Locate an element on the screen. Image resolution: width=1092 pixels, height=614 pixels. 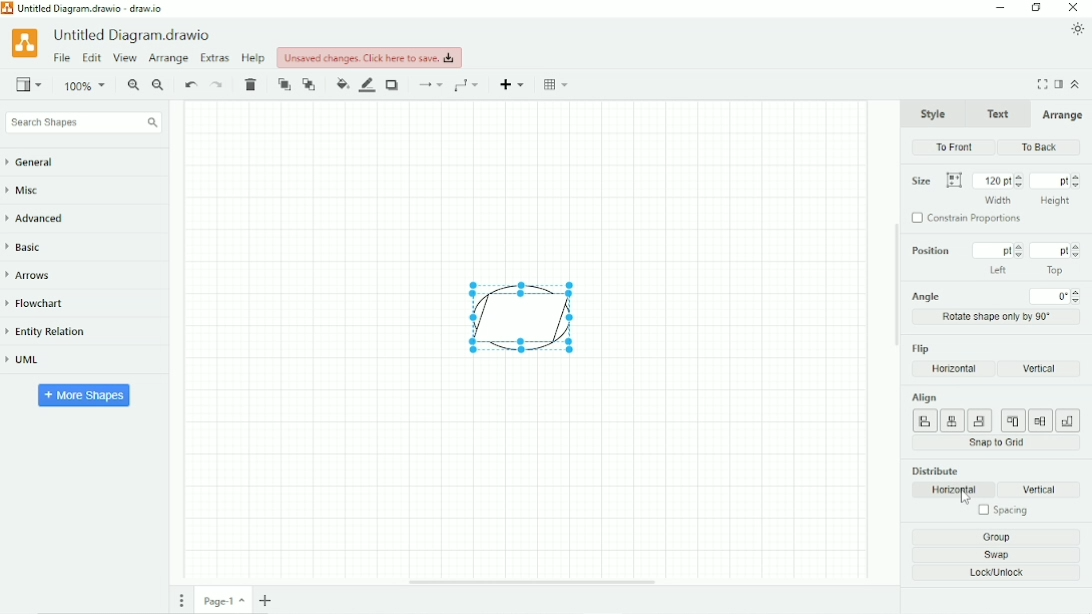
Entity relation is located at coordinates (55, 332).